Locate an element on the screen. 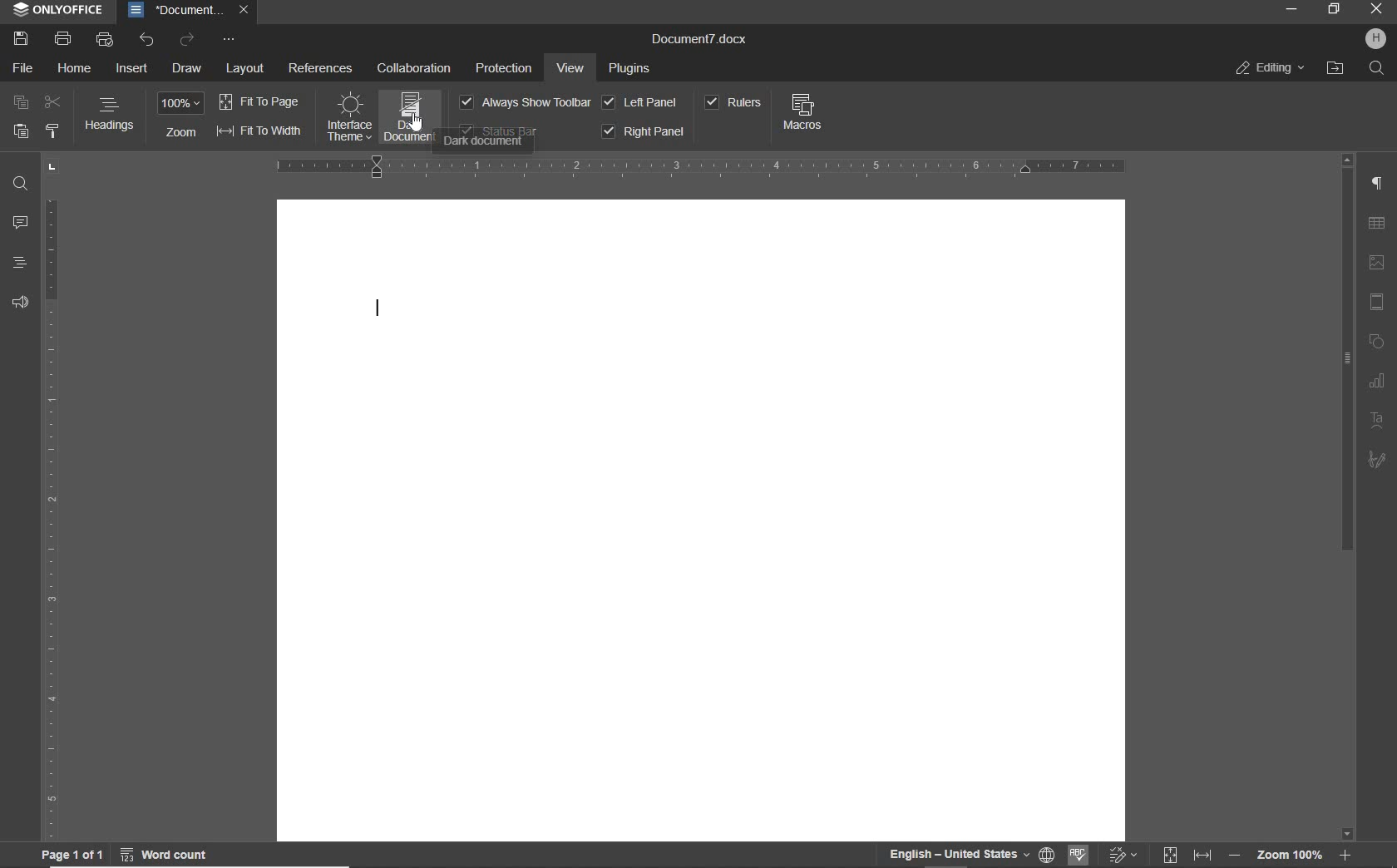 Image resolution: width=1397 pixels, height=868 pixels. SCROLLBAR is located at coordinates (1348, 496).